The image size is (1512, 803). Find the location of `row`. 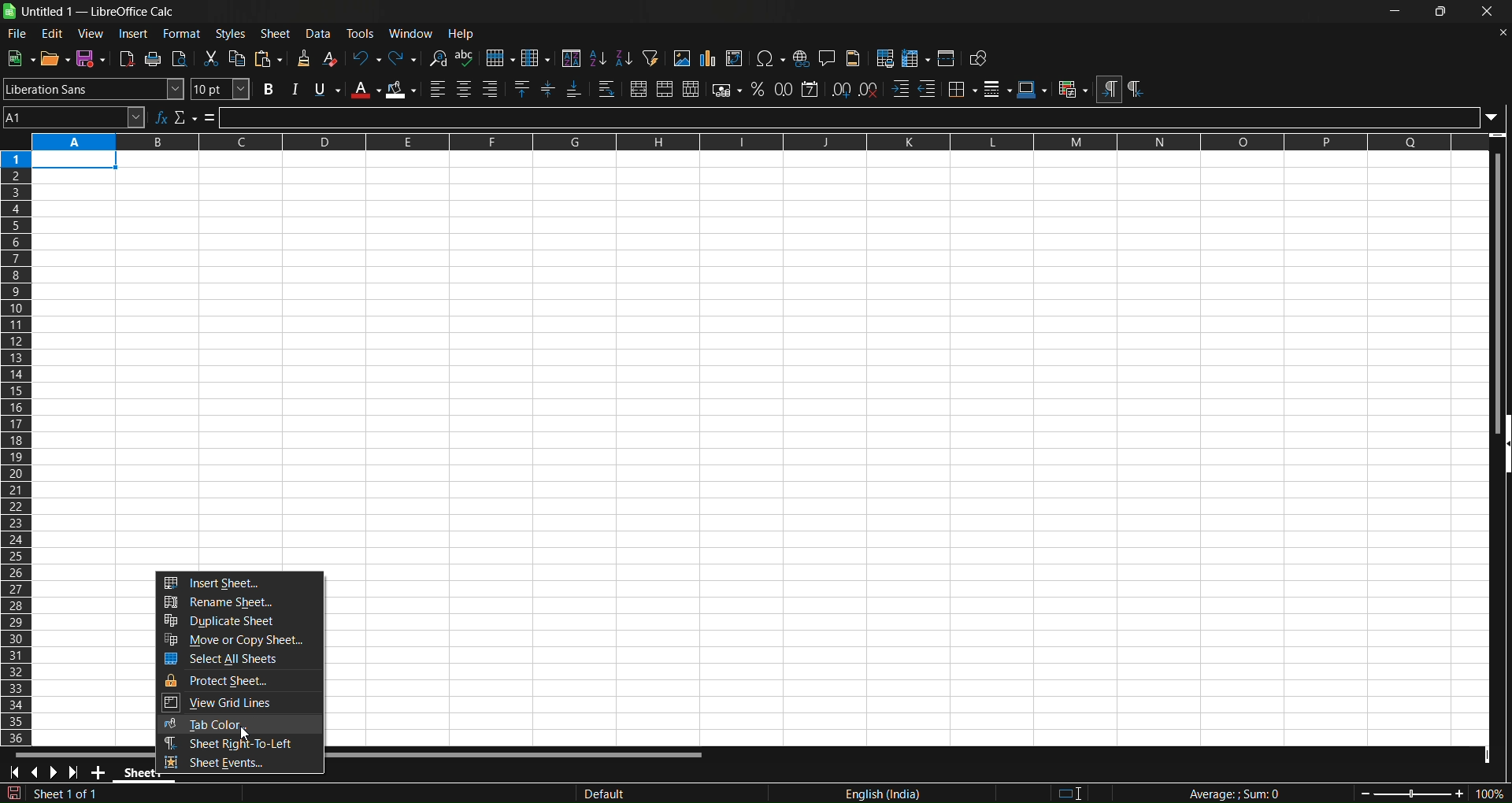

row is located at coordinates (500, 58).